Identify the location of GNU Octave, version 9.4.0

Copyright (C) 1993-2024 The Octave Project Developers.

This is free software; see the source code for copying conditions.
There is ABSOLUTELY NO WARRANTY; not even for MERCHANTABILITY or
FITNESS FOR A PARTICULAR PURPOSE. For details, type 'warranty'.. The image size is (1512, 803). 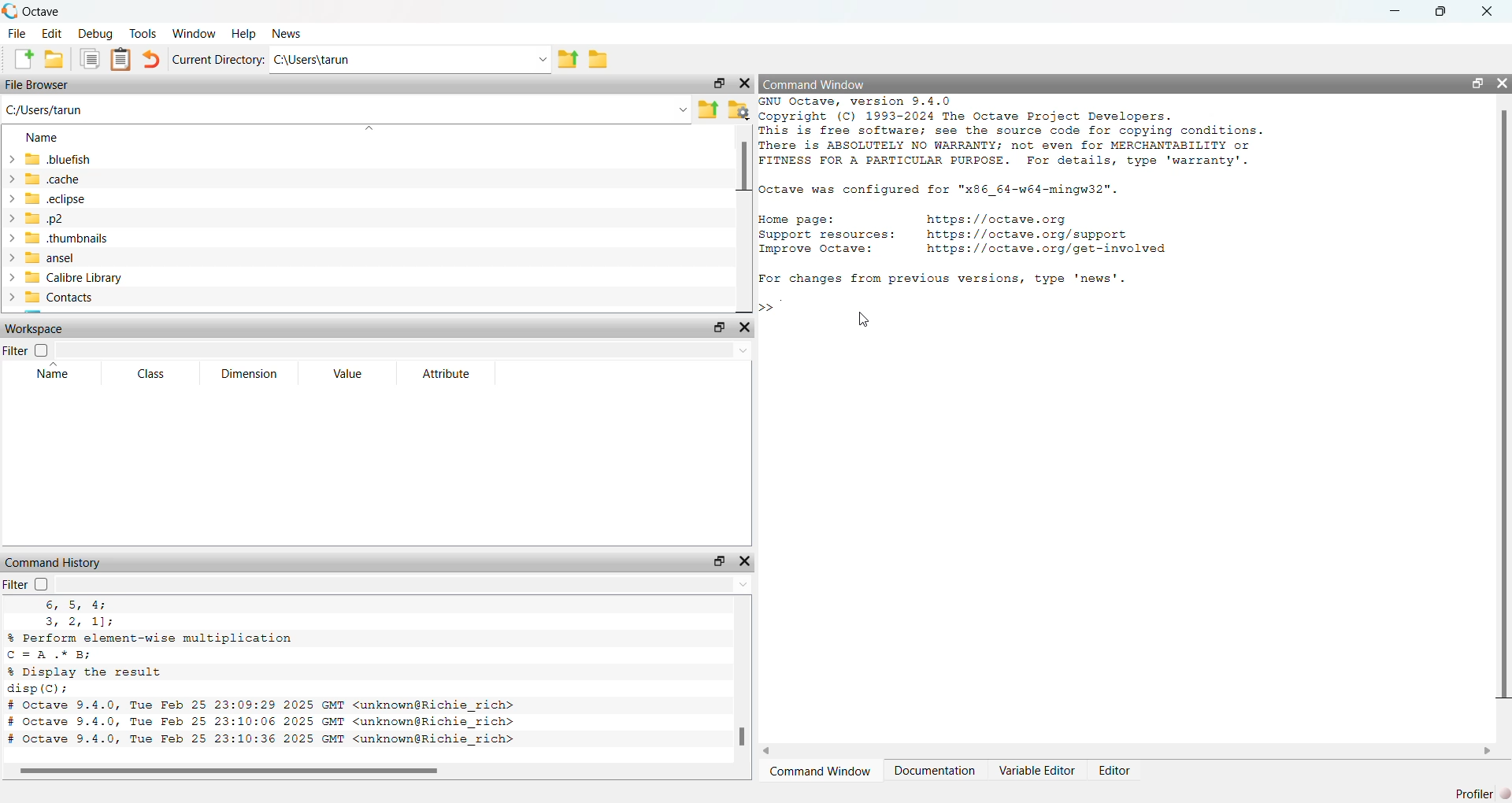
(1015, 132).